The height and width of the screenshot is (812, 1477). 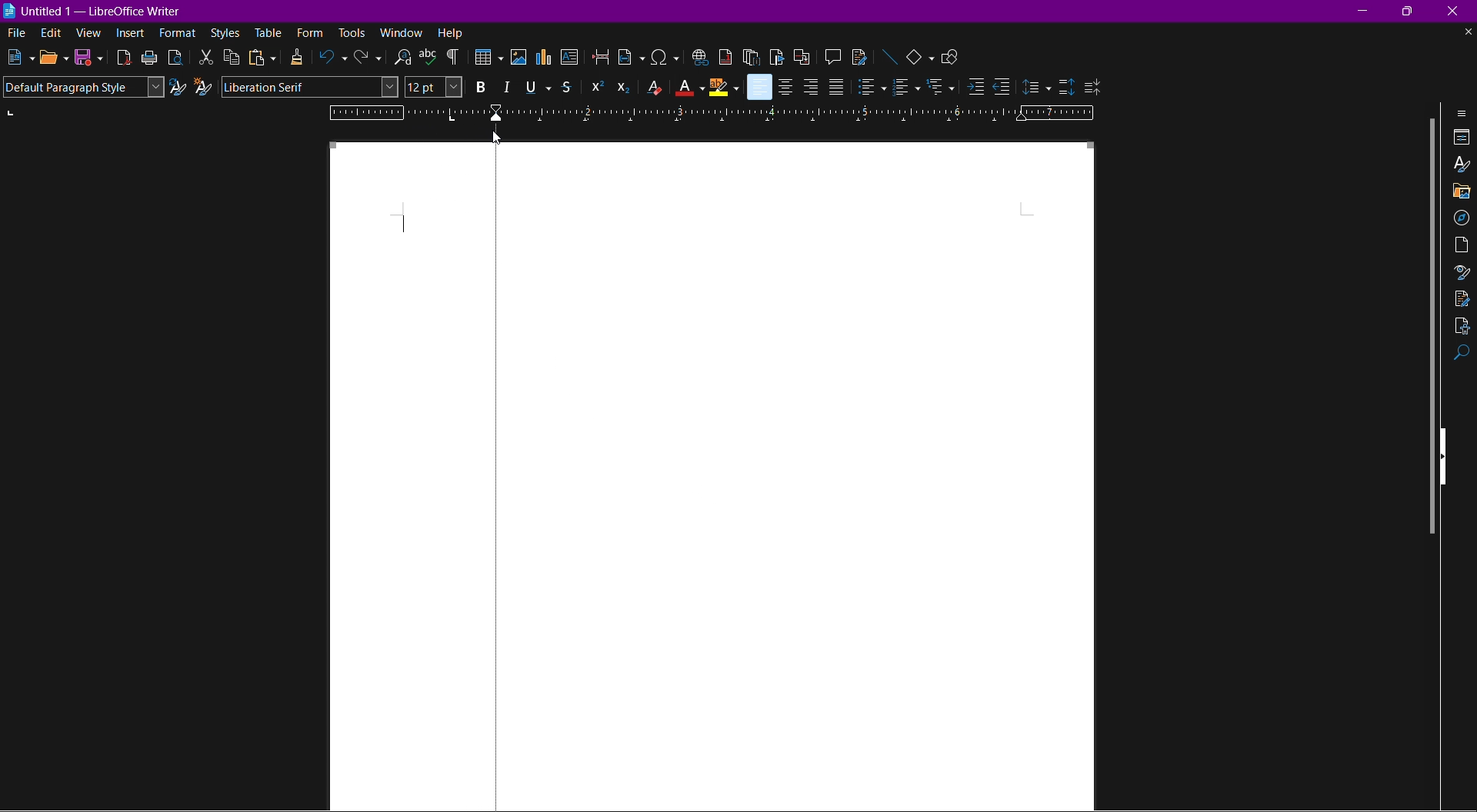 What do you see at coordinates (889, 55) in the screenshot?
I see `Insert Line` at bounding box center [889, 55].